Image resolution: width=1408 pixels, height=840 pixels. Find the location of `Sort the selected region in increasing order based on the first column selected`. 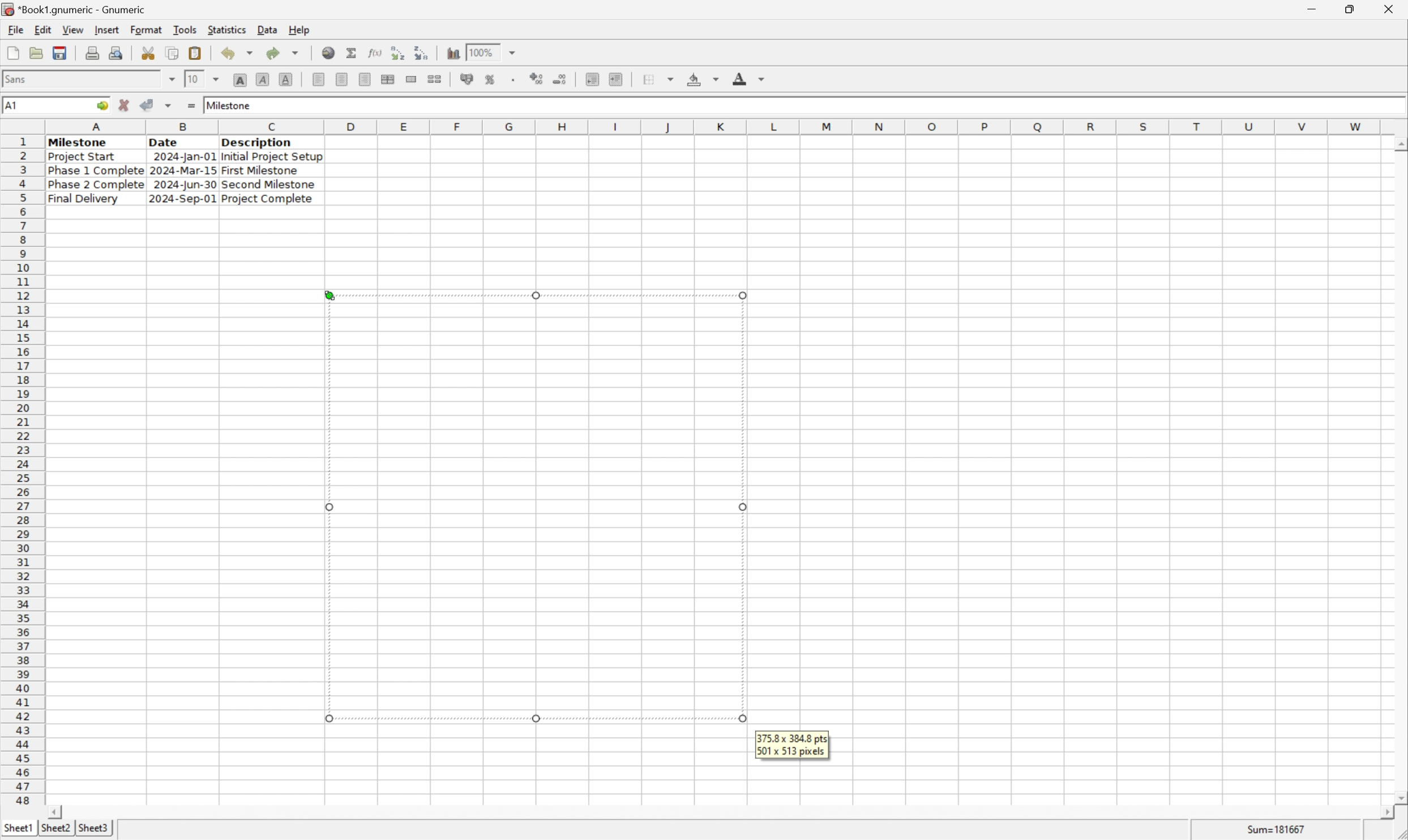

Sort the selected region in increasing order based on the first column selected is located at coordinates (395, 53).